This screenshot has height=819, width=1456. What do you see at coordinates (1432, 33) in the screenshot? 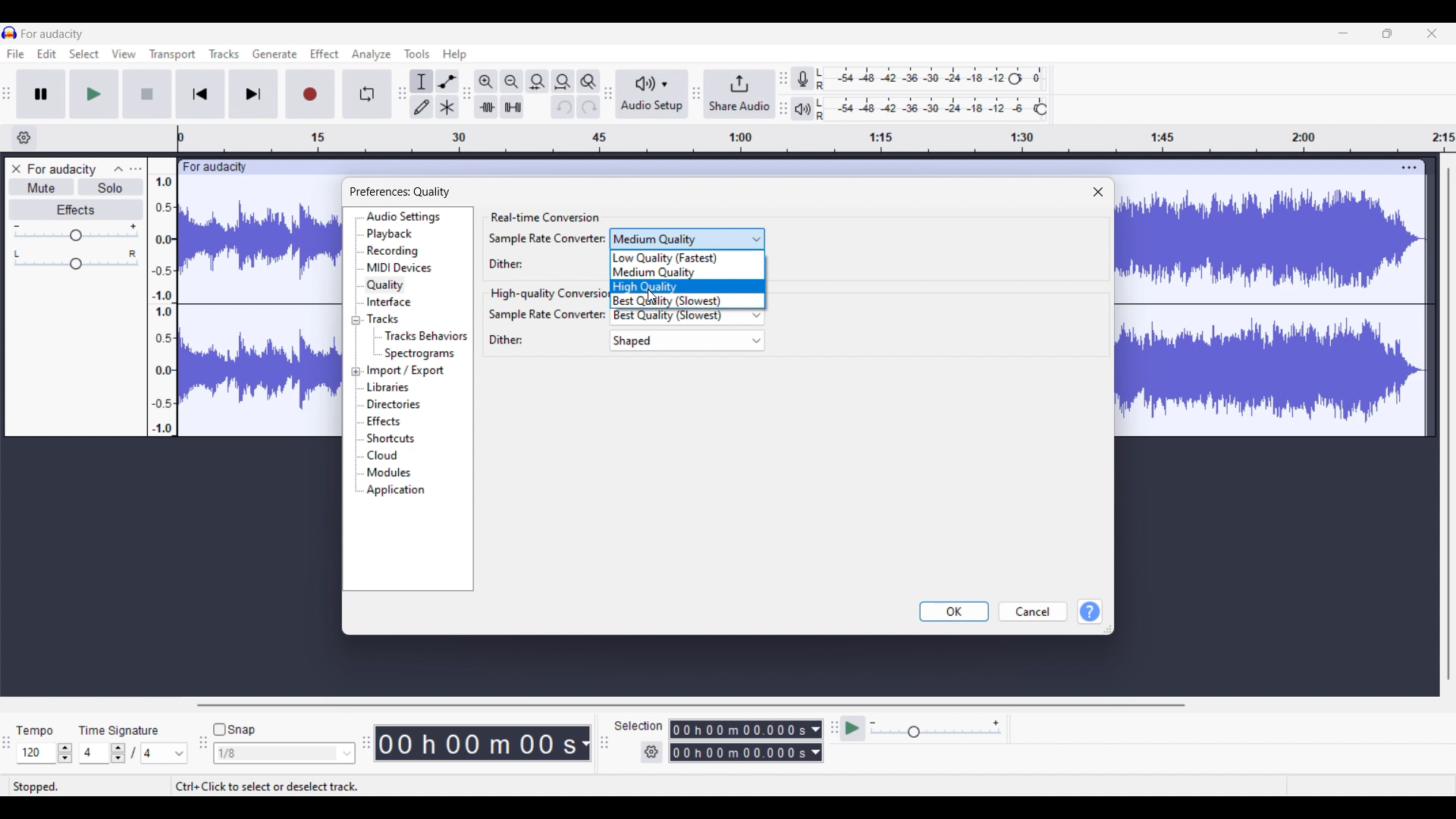
I see `Close interface` at bounding box center [1432, 33].